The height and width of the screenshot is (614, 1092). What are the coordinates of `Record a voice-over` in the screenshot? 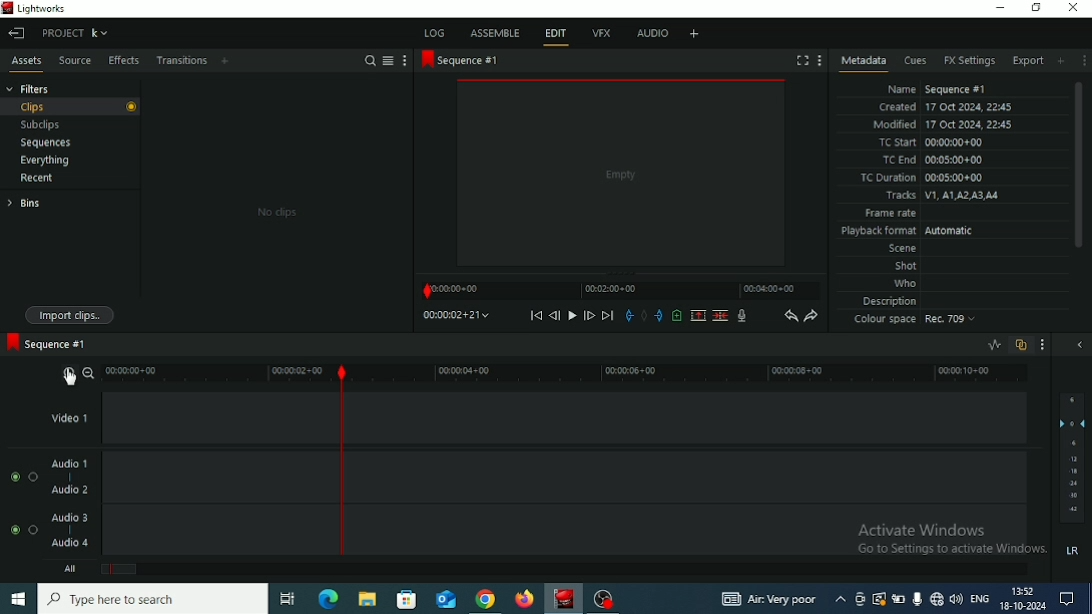 It's located at (742, 317).